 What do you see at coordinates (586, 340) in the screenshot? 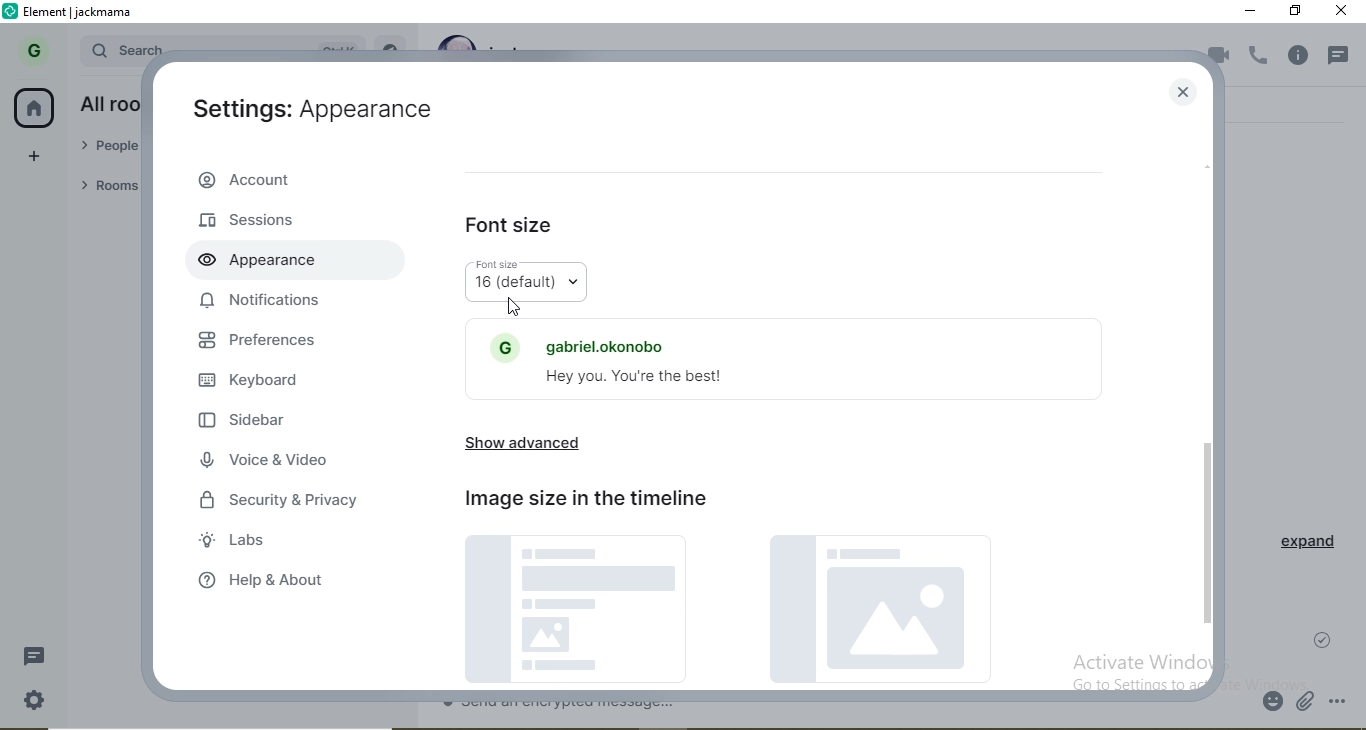
I see `gabriel.okonobo` at bounding box center [586, 340].